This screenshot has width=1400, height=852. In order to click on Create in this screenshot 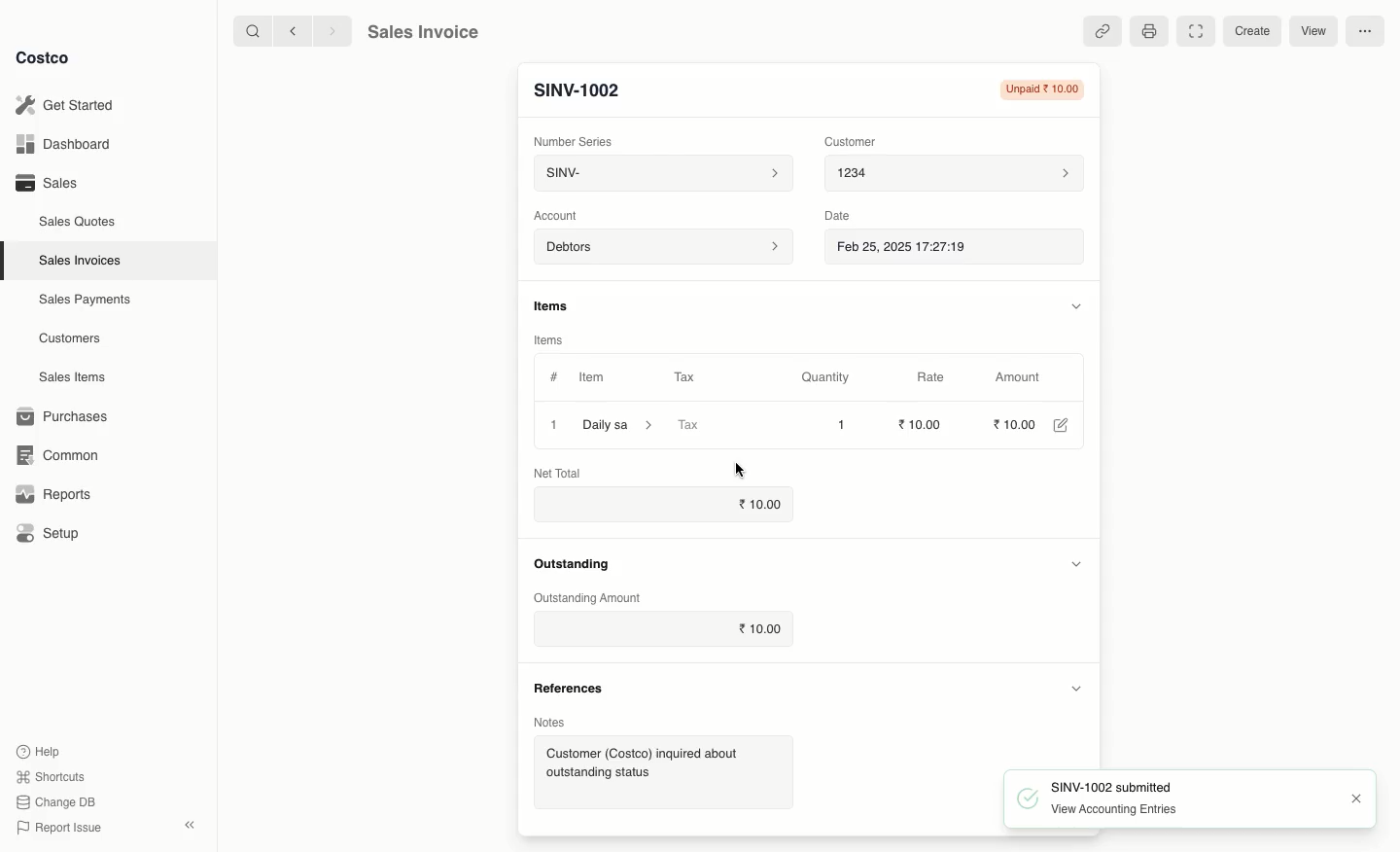, I will do `click(1250, 30)`.